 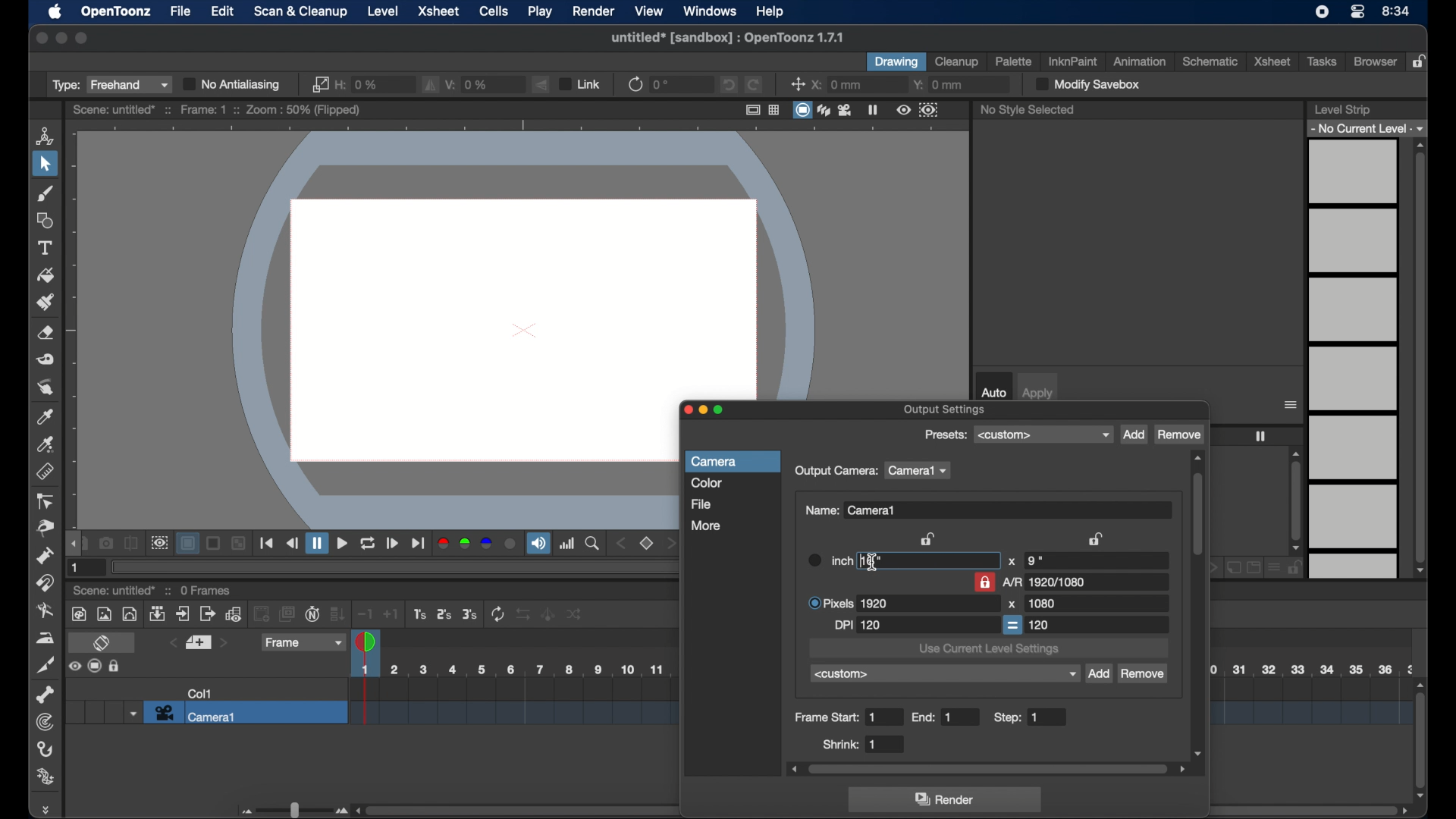 What do you see at coordinates (1013, 625) in the screenshot?
I see `equal to` at bounding box center [1013, 625].